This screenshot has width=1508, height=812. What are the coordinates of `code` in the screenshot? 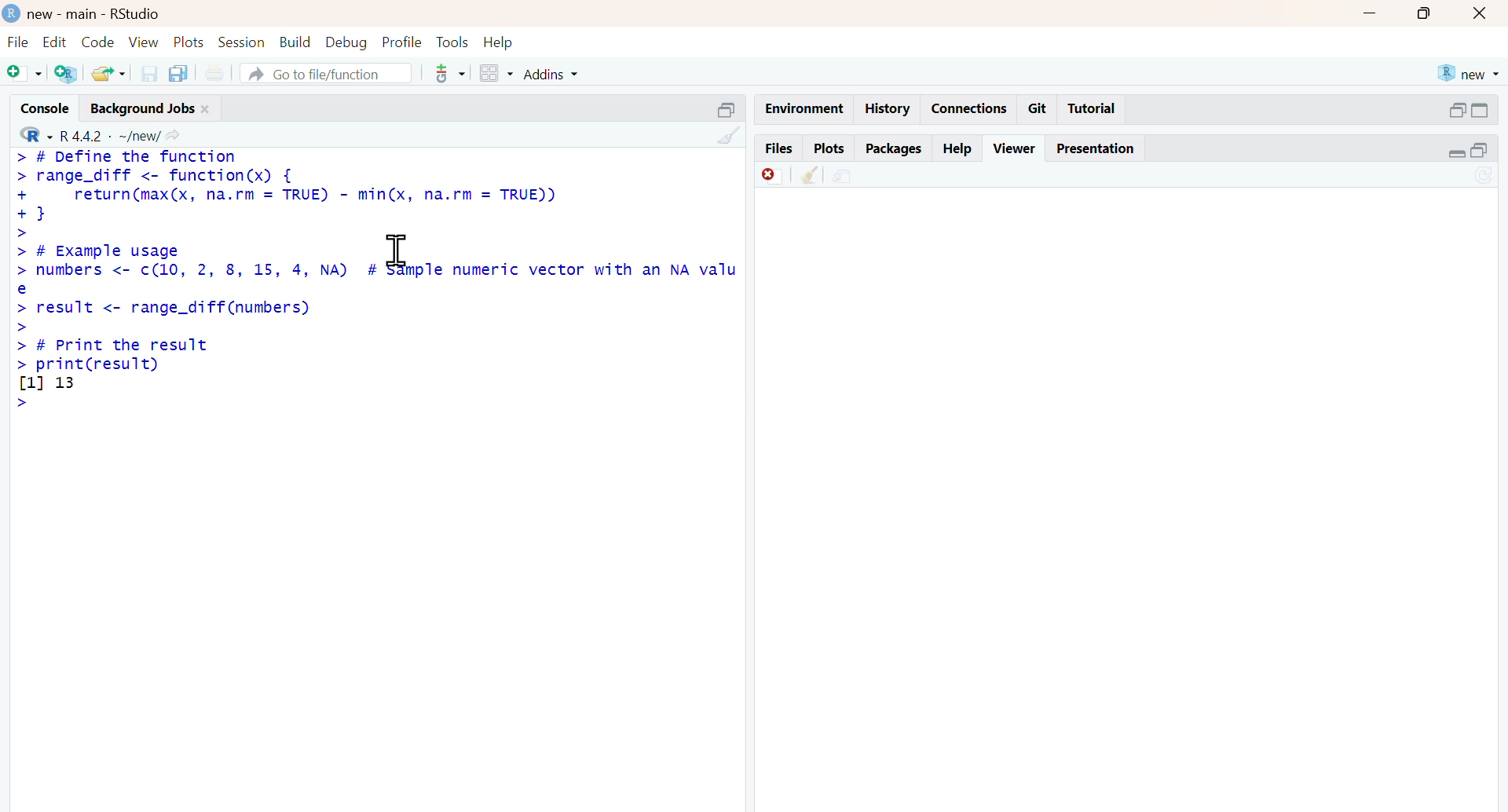 It's located at (99, 42).